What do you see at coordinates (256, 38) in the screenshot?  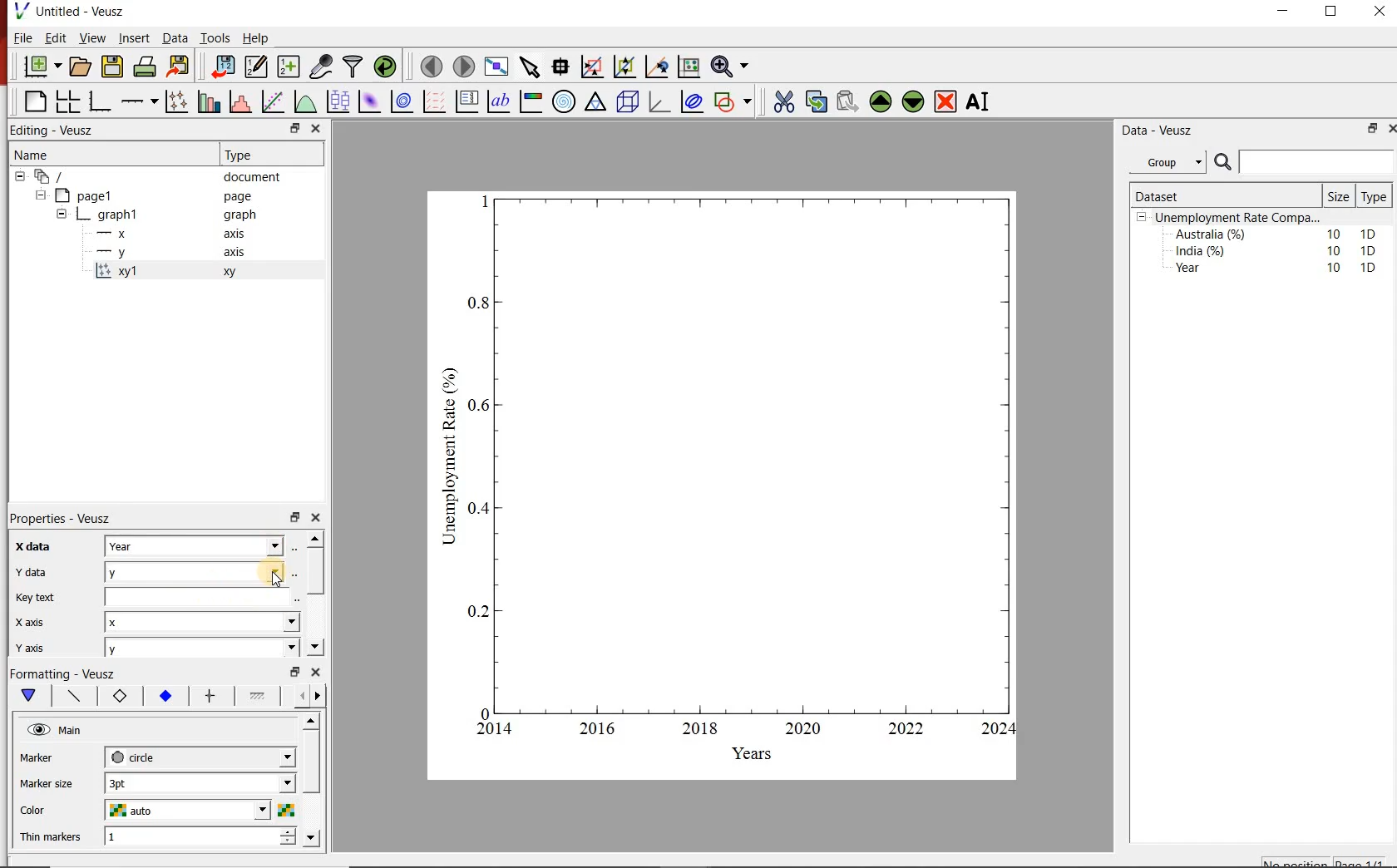 I see `Help` at bounding box center [256, 38].